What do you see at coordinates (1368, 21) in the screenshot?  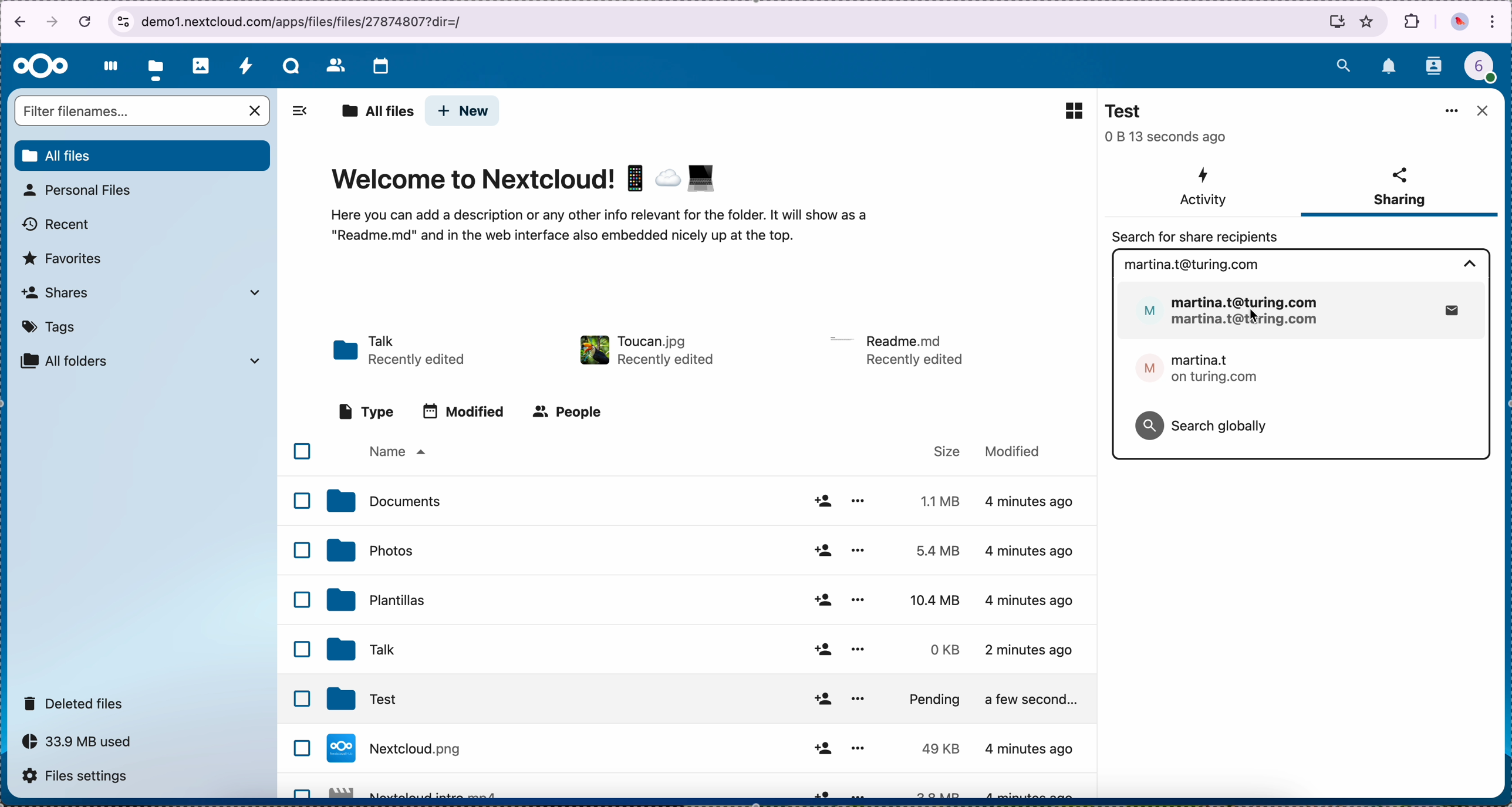 I see `favorites` at bounding box center [1368, 21].